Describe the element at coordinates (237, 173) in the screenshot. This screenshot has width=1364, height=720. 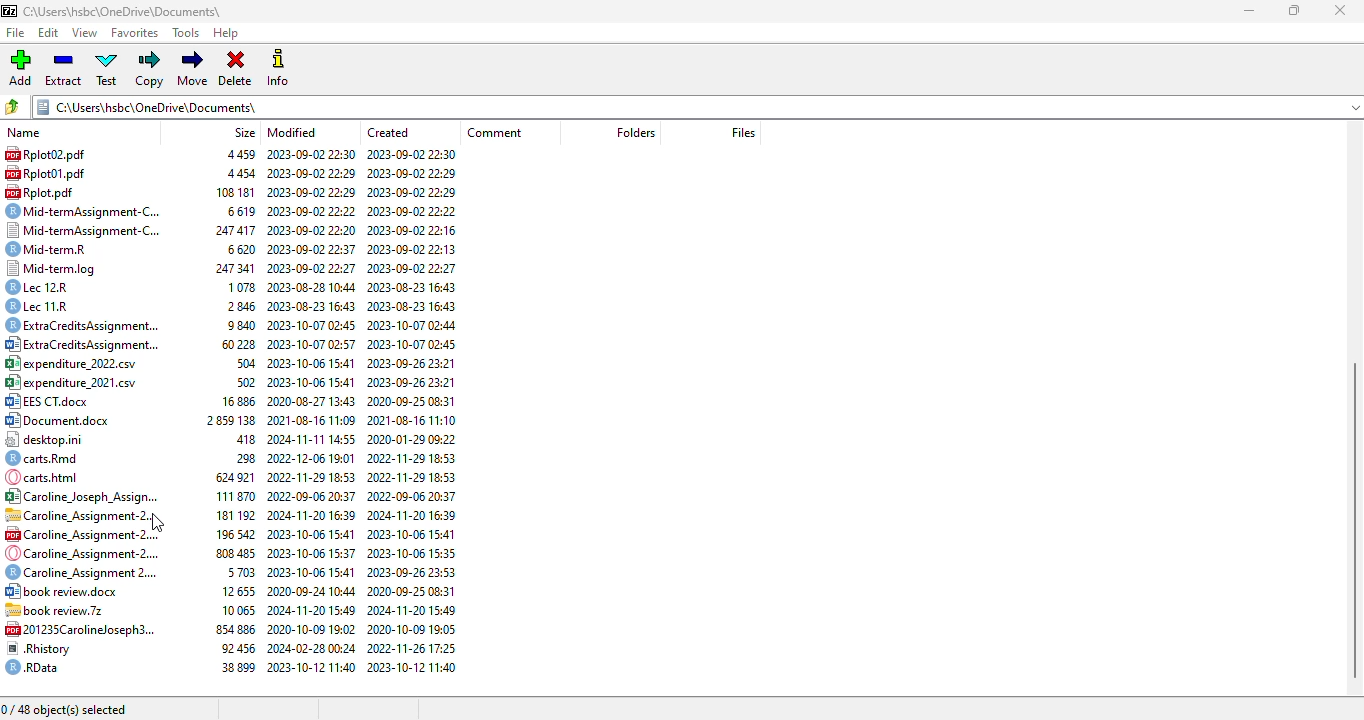
I see `4454` at that location.